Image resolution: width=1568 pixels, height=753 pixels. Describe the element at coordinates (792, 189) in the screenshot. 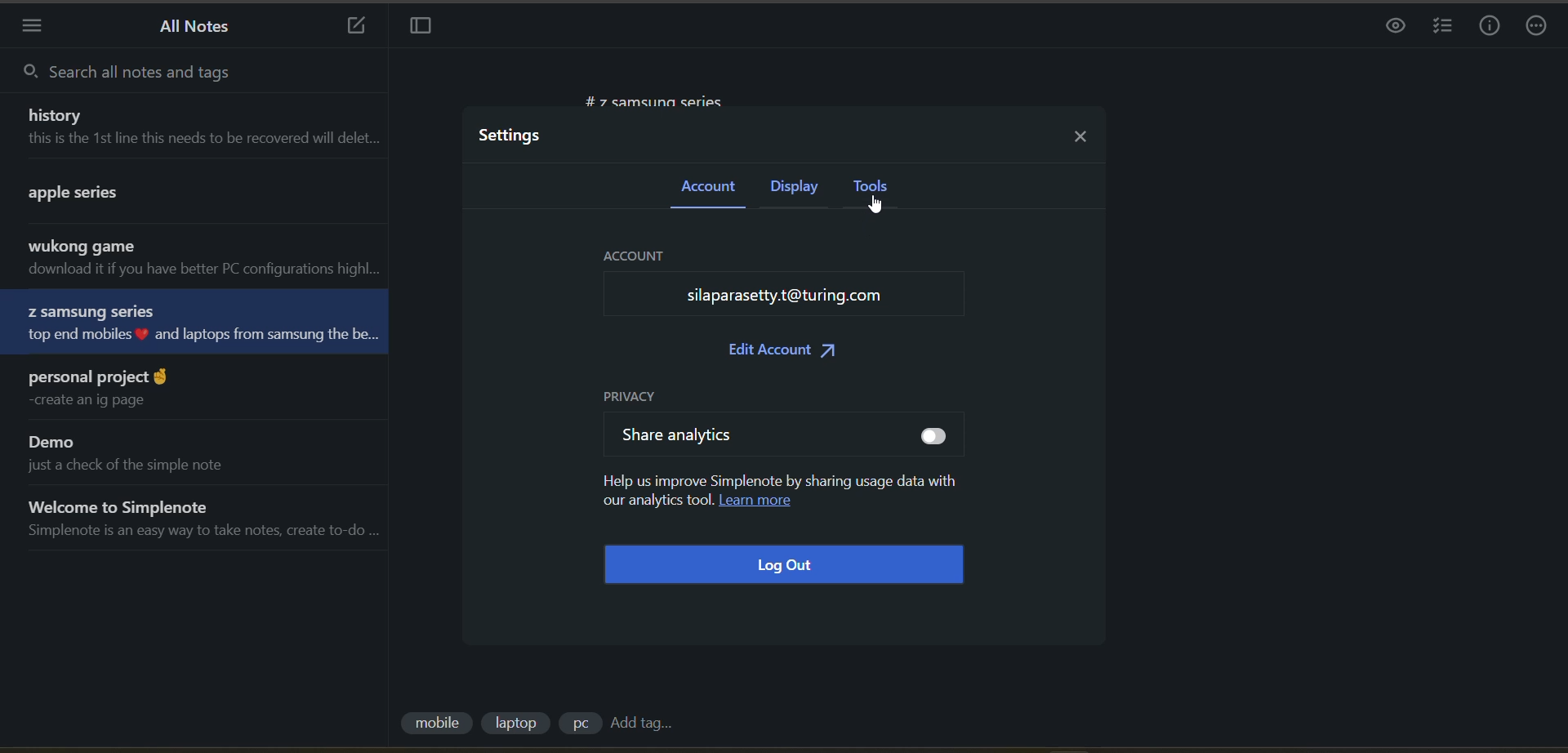

I see `display` at that location.